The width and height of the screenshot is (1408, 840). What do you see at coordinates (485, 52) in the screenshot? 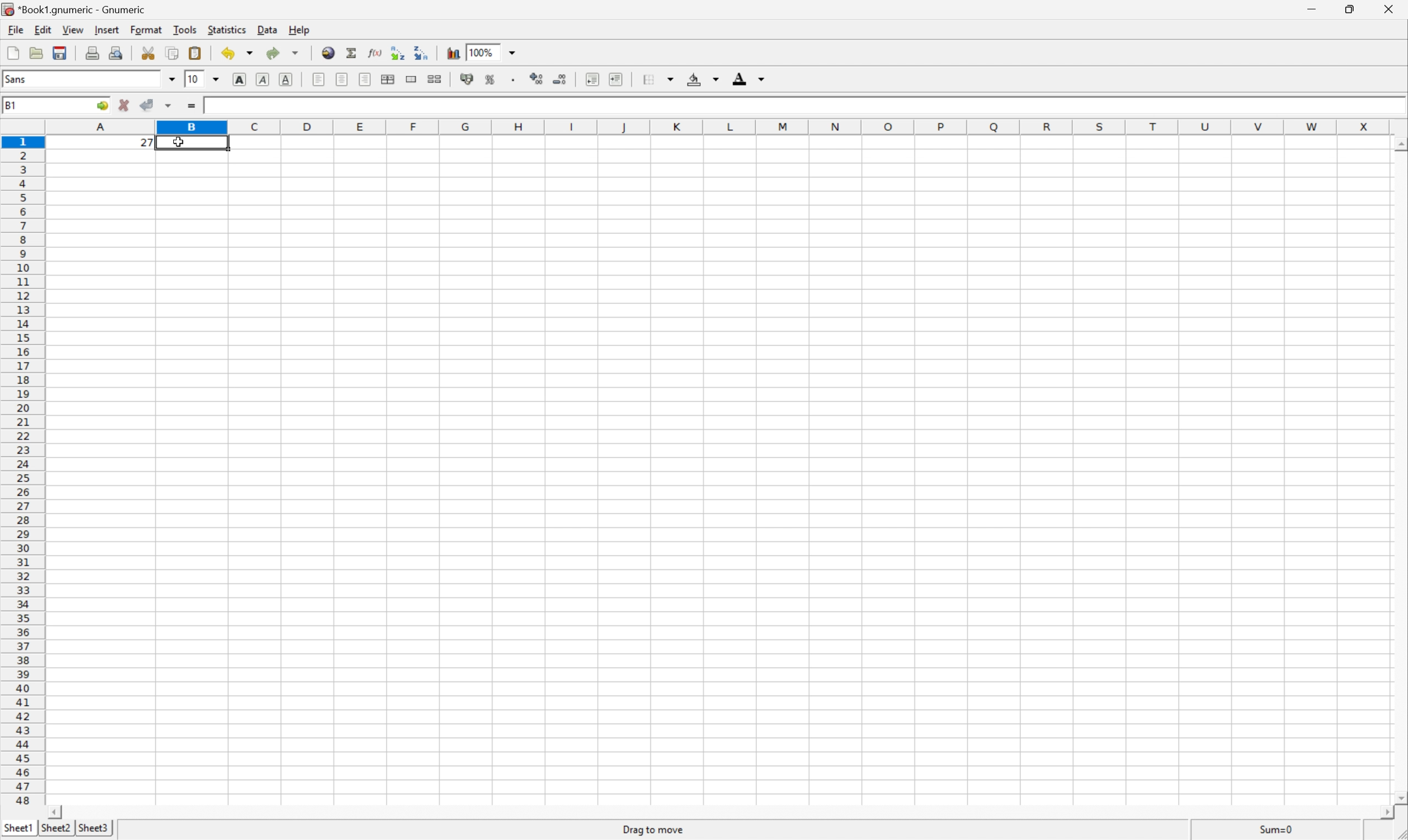
I see `100%` at bounding box center [485, 52].